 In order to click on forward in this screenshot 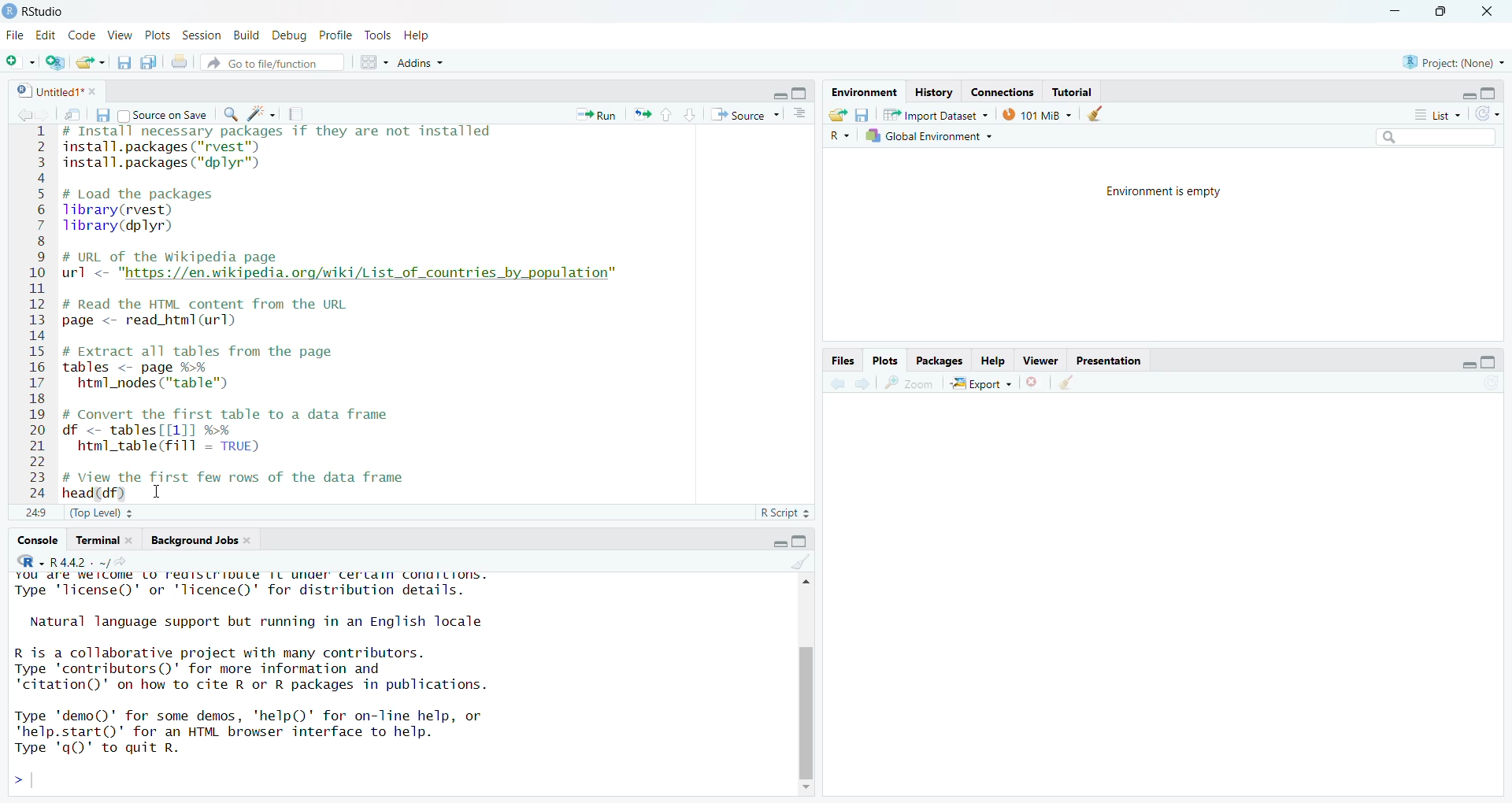, I will do `click(47, 115)`.